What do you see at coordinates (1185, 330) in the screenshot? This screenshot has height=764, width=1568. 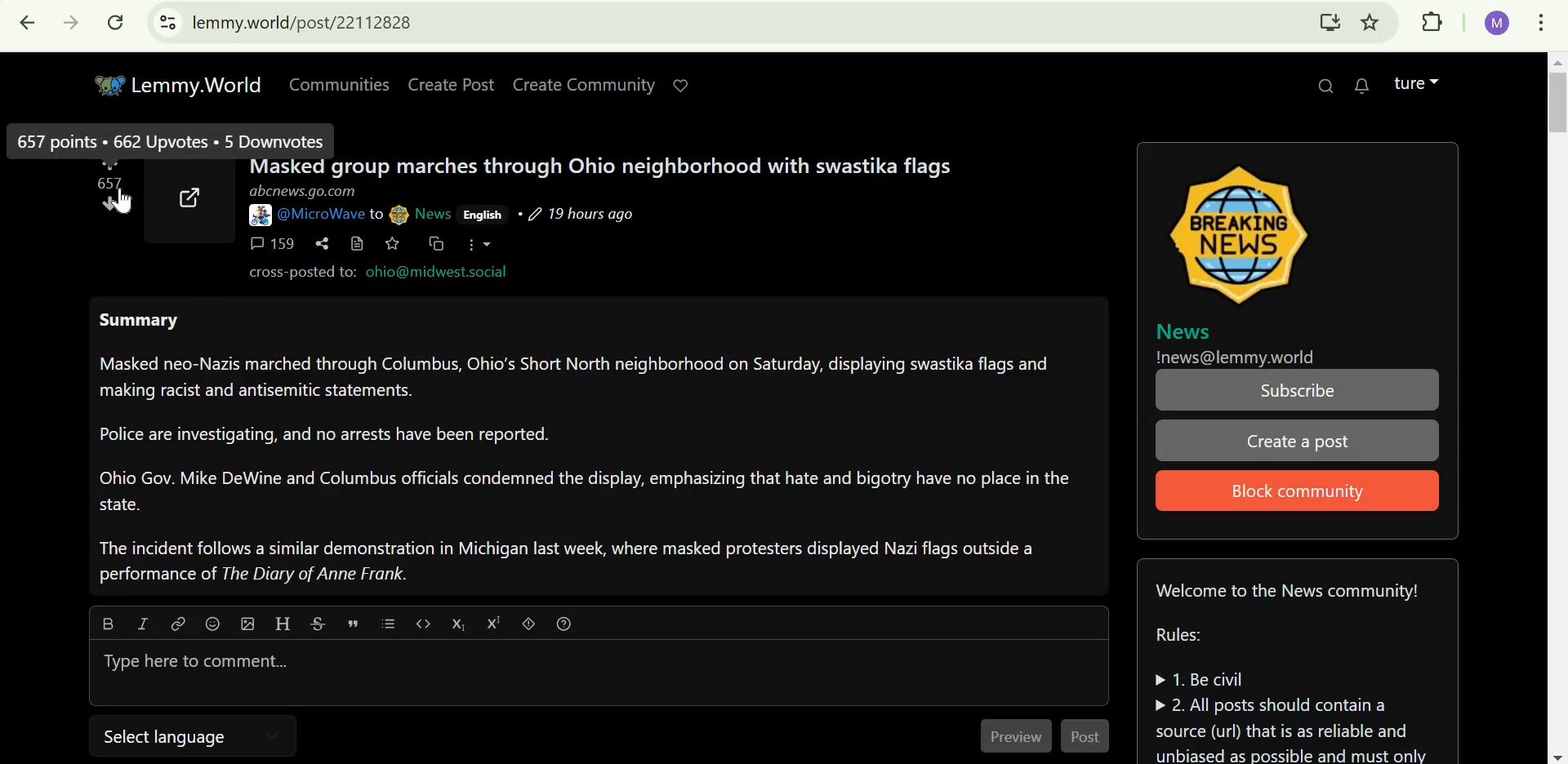 I see `News` at bounding box center [1185, 330].